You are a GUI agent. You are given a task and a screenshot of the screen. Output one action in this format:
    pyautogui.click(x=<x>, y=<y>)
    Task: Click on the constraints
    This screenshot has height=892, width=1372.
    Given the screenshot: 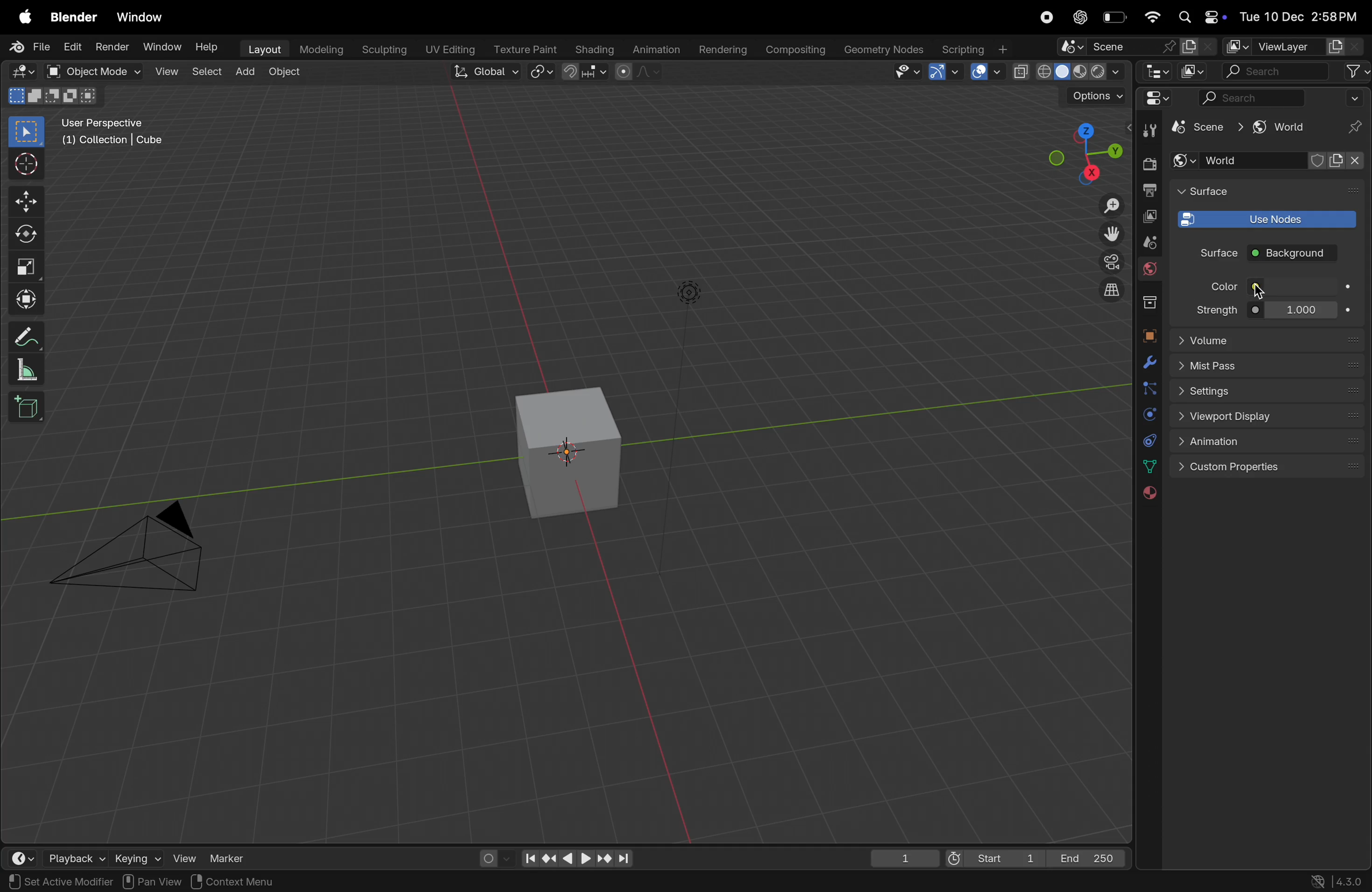 What is the action you would take?
    pyautogui.click(x=1148, y=440)
    